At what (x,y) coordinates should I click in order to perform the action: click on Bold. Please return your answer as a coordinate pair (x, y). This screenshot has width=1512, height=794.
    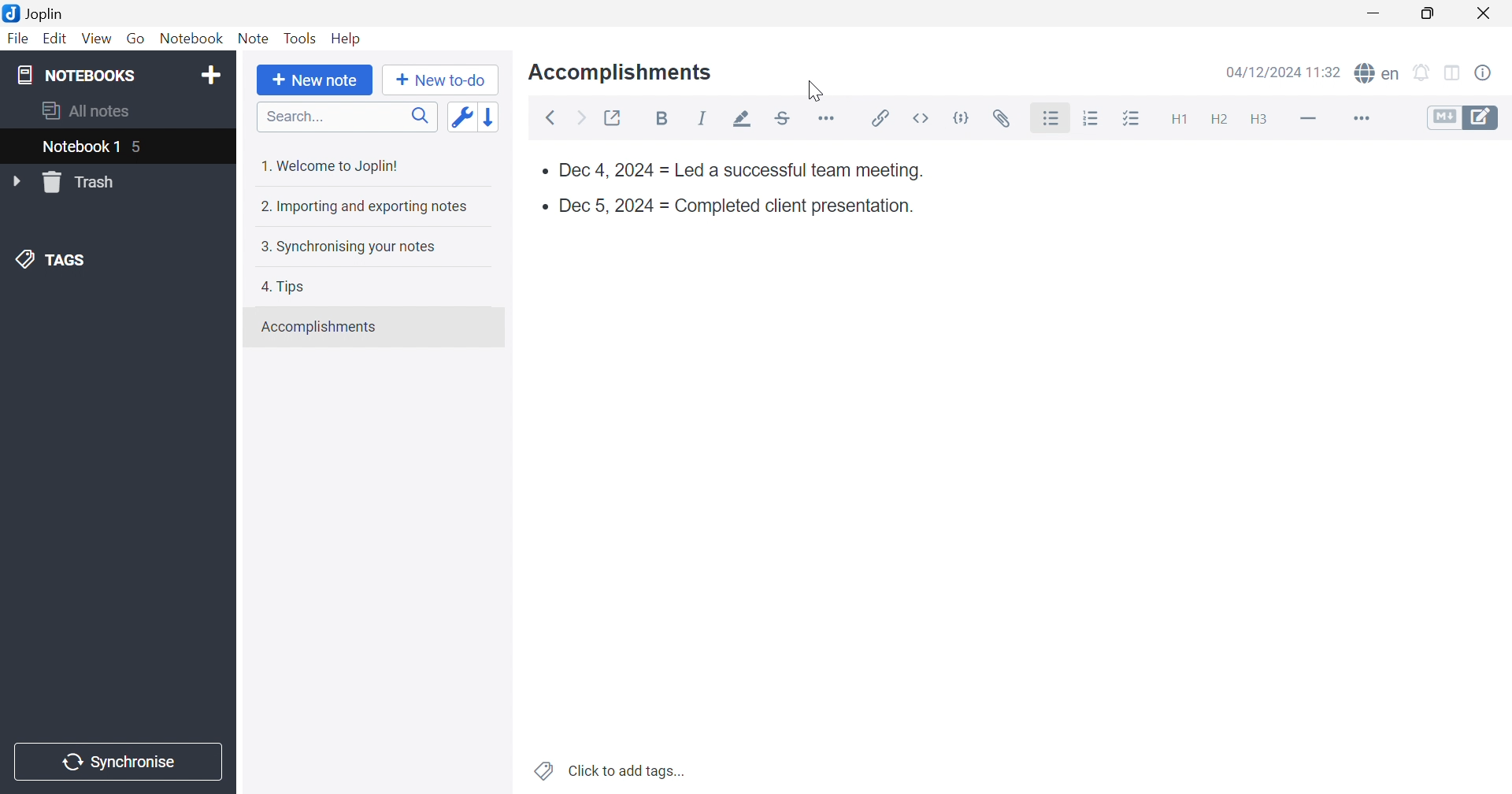
    Looking at the image, I should click on (662, 117).